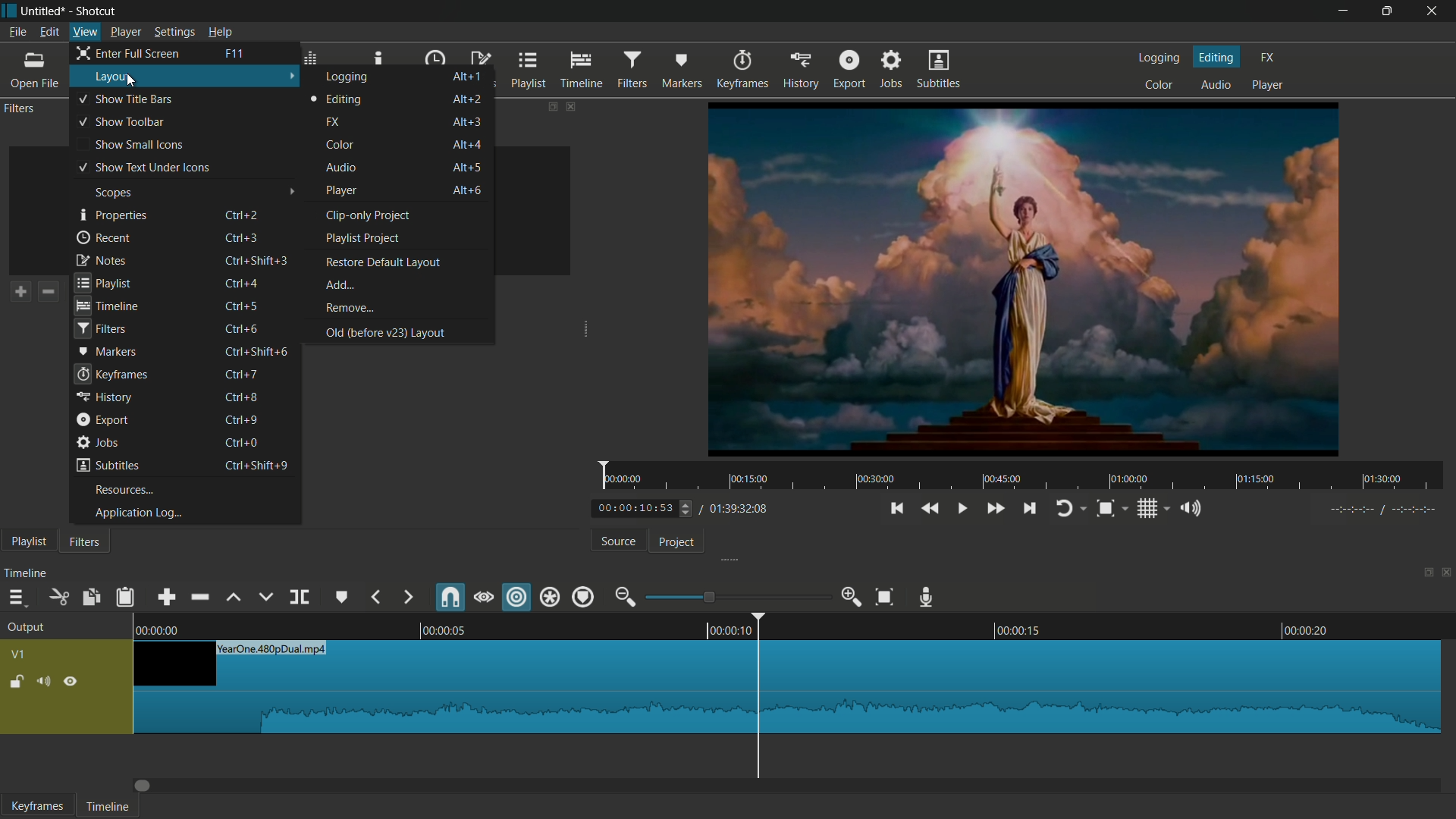  What do you see at coordinates (381, 262) in the screenshot?
I see `restore default layout` at bounding box center [381, 262].